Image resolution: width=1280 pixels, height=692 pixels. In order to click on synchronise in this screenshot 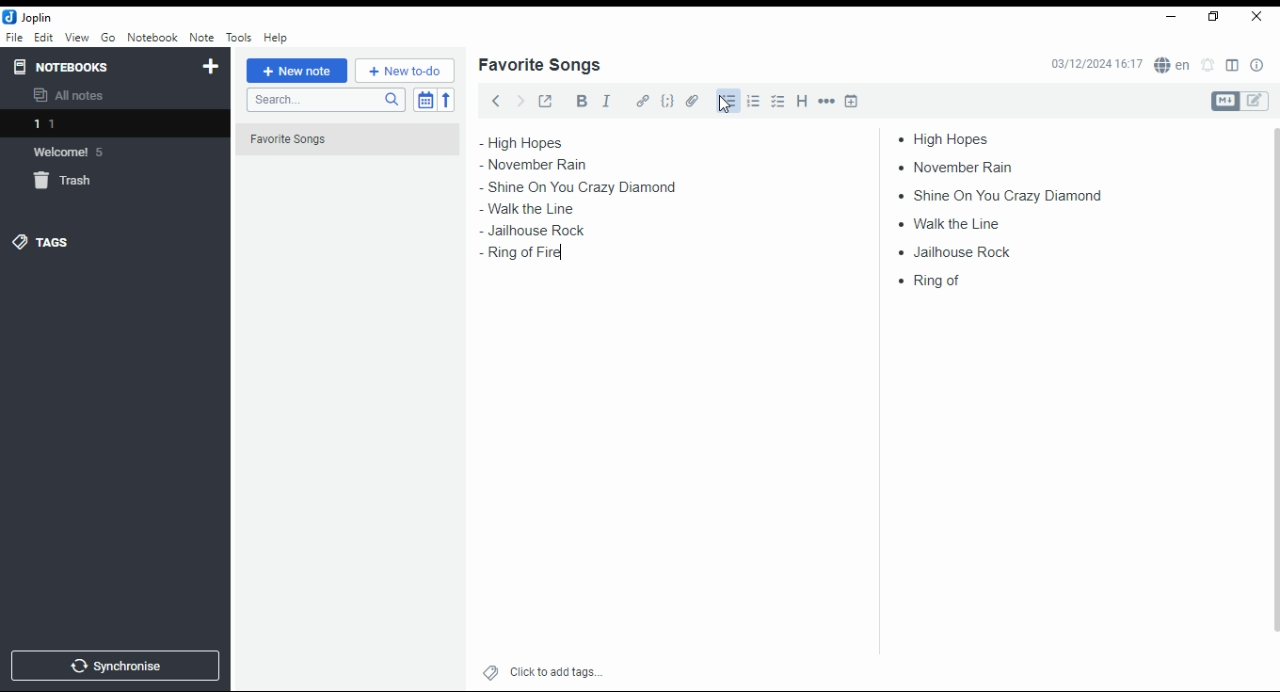, I will do `click(112, 665)`.